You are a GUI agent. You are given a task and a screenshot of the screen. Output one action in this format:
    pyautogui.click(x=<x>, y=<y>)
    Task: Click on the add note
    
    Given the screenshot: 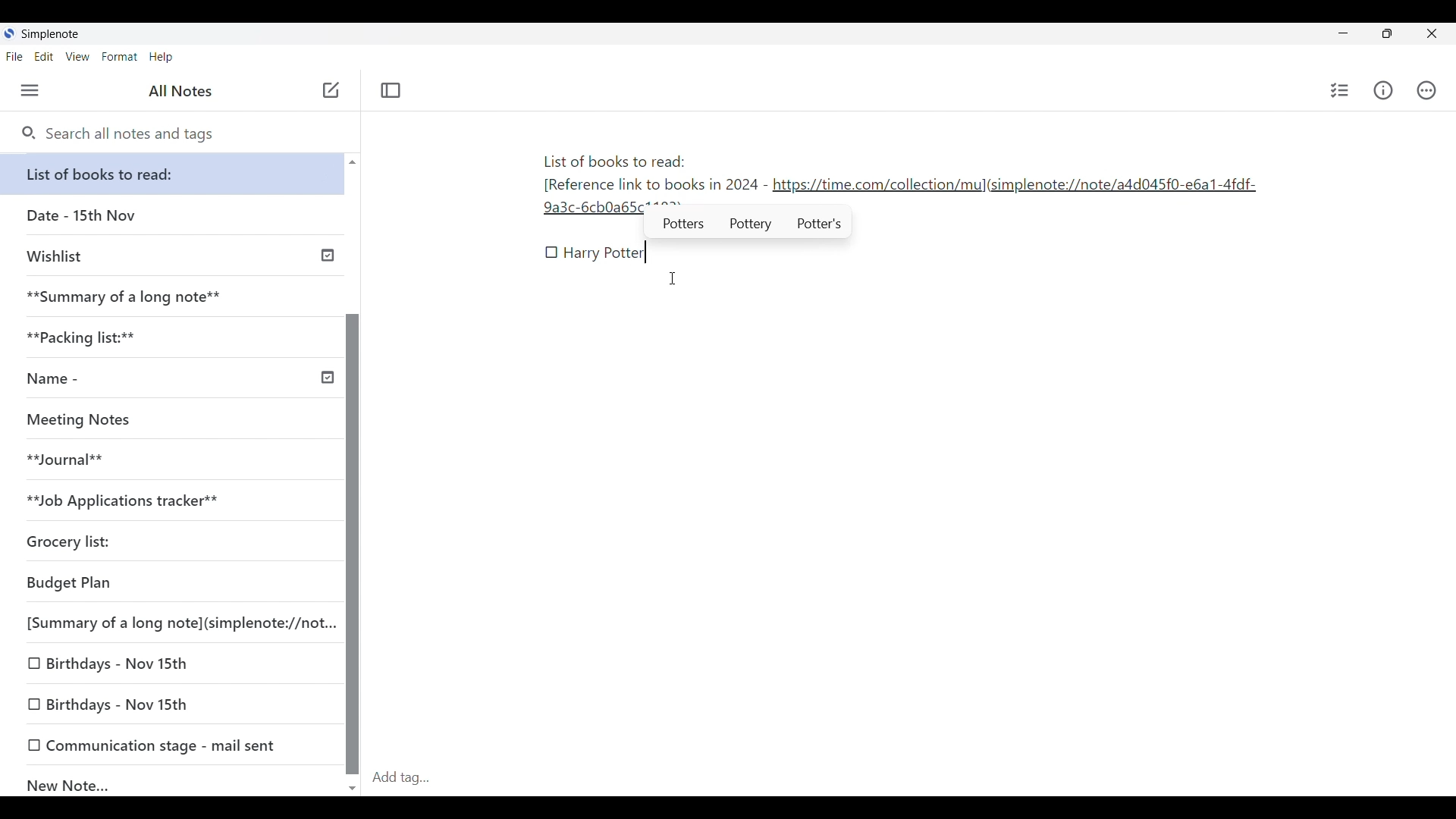 What is the action you would take?
    pyautogui.click(x=329, y=89)
    